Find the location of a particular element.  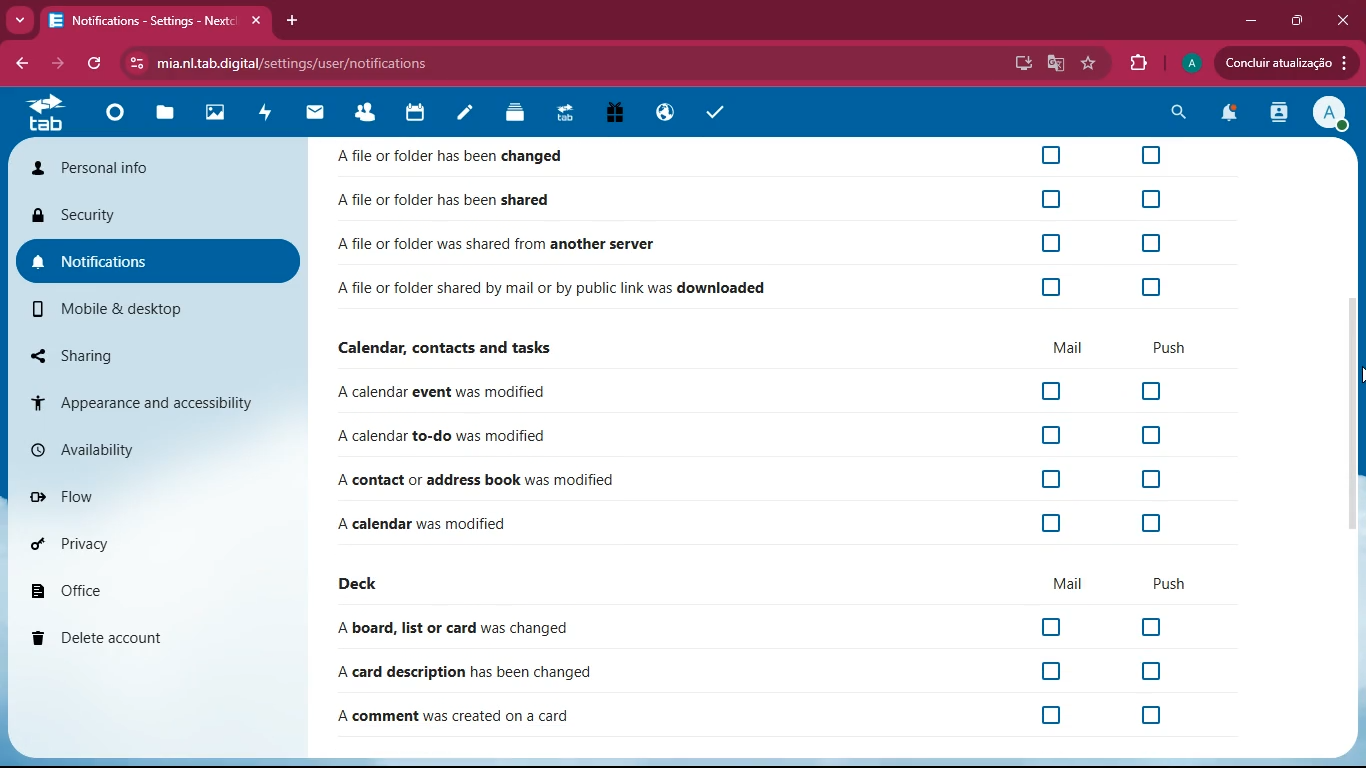

push is located at coordinates (1168, 584).